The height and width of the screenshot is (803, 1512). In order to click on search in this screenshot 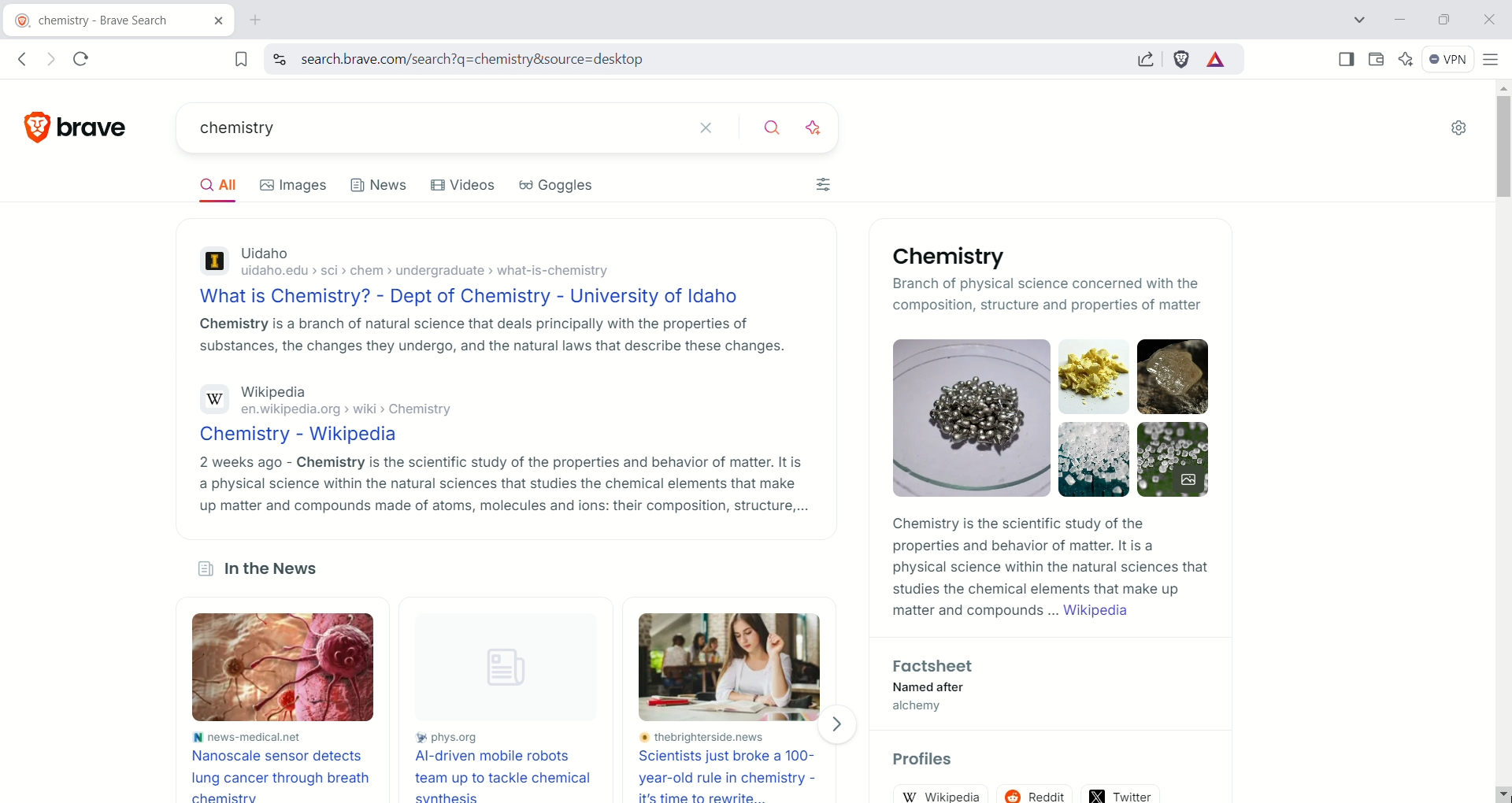, I will do `click(774, 125)`.